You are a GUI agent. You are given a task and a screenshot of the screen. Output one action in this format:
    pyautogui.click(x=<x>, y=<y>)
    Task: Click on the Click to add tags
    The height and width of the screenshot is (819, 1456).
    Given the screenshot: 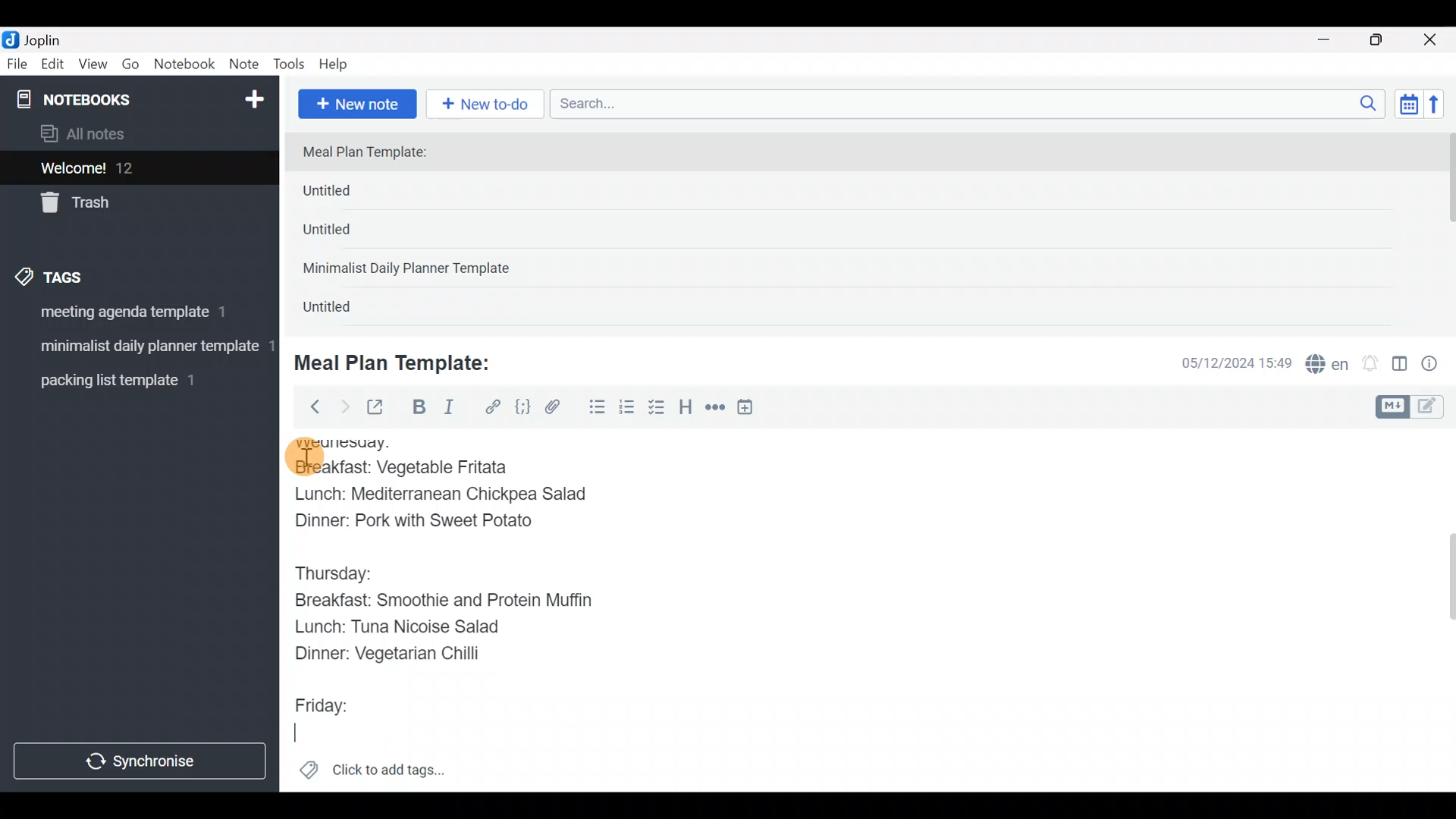 What is the action you would take?
    pyautogui.click(x=372, y=775)
    